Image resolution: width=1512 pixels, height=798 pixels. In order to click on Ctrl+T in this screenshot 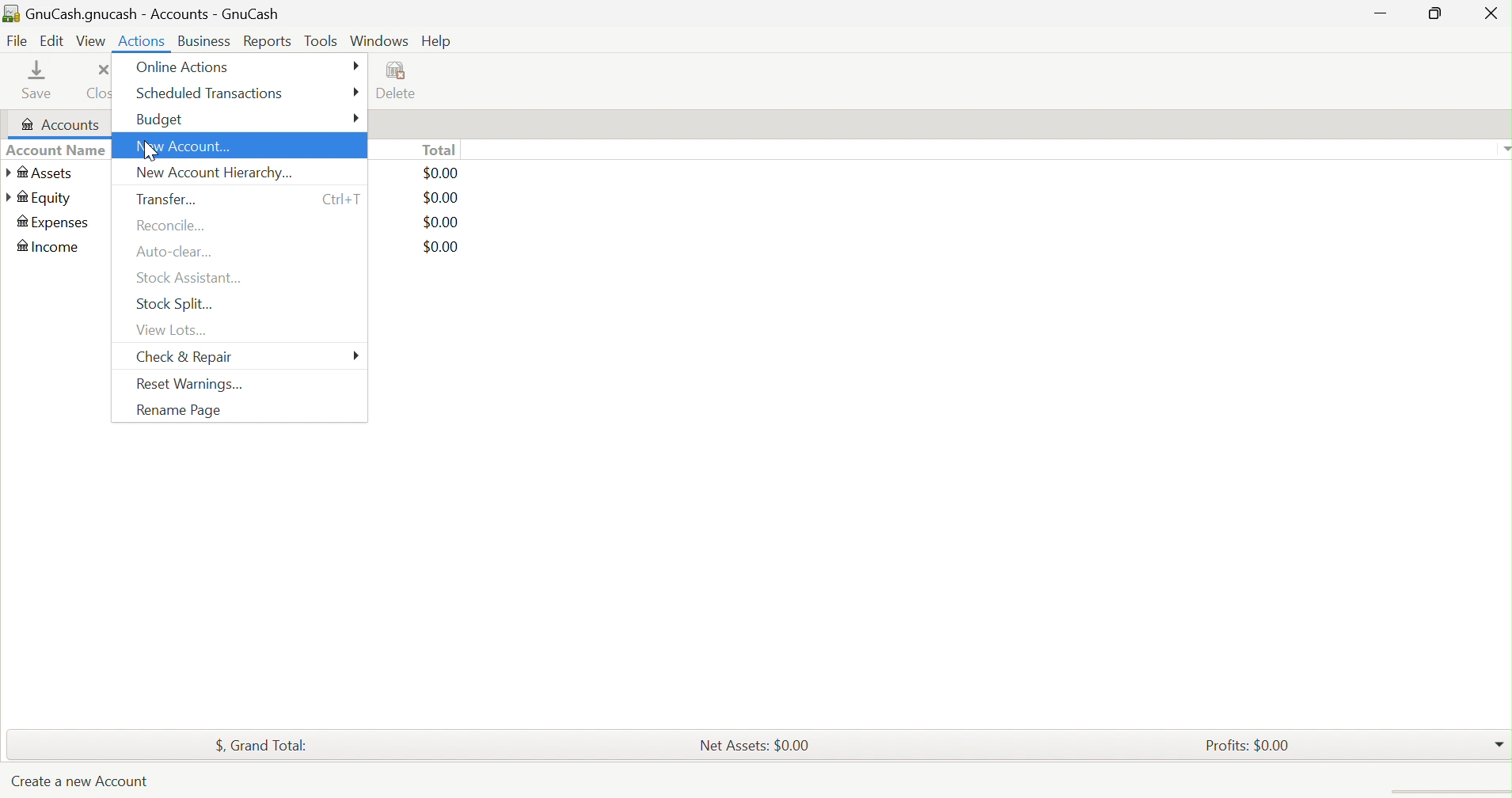, I will do `click(344, 196)`.